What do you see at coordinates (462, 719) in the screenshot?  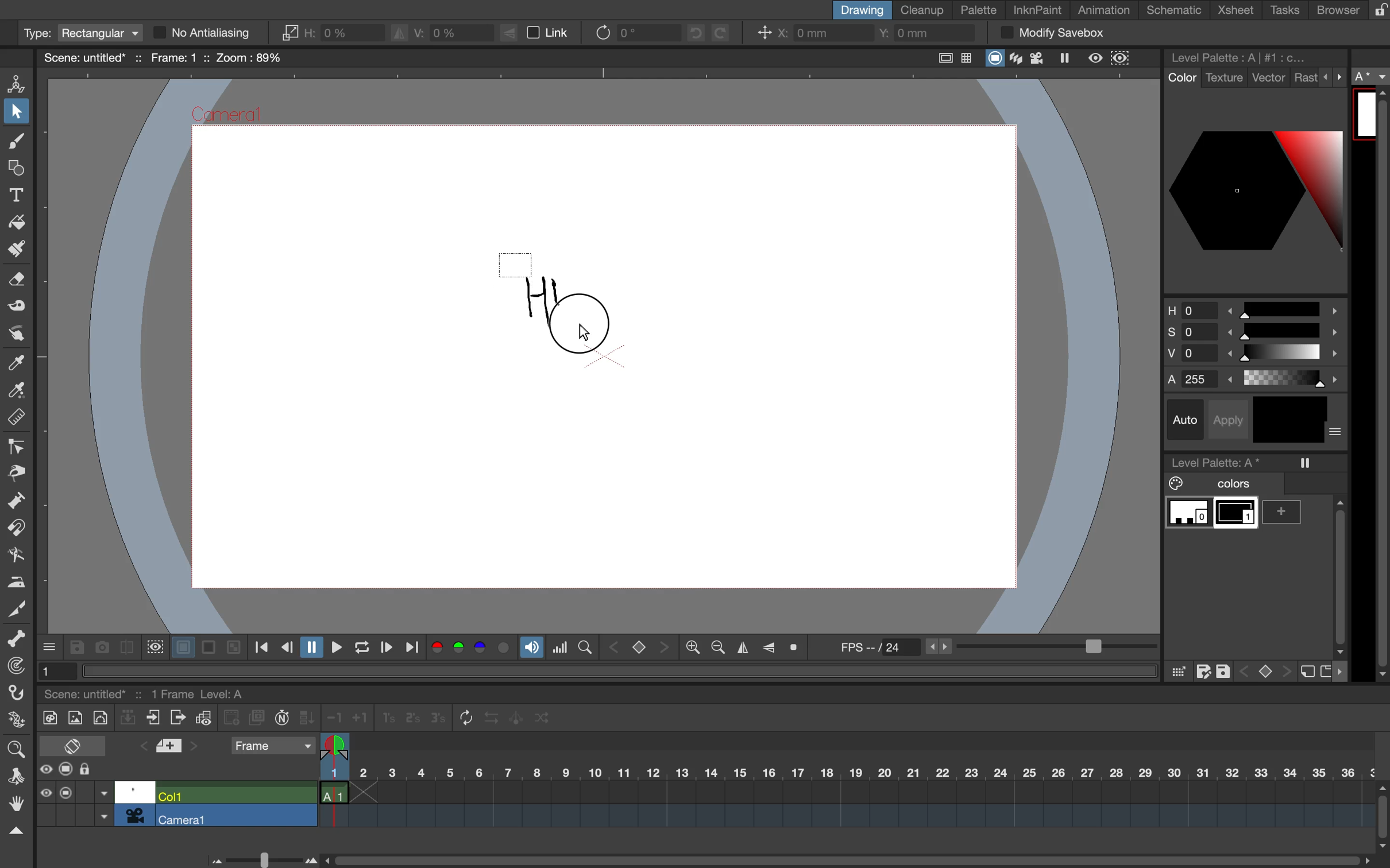 I see `repeat` at bounding box center [462, 719].